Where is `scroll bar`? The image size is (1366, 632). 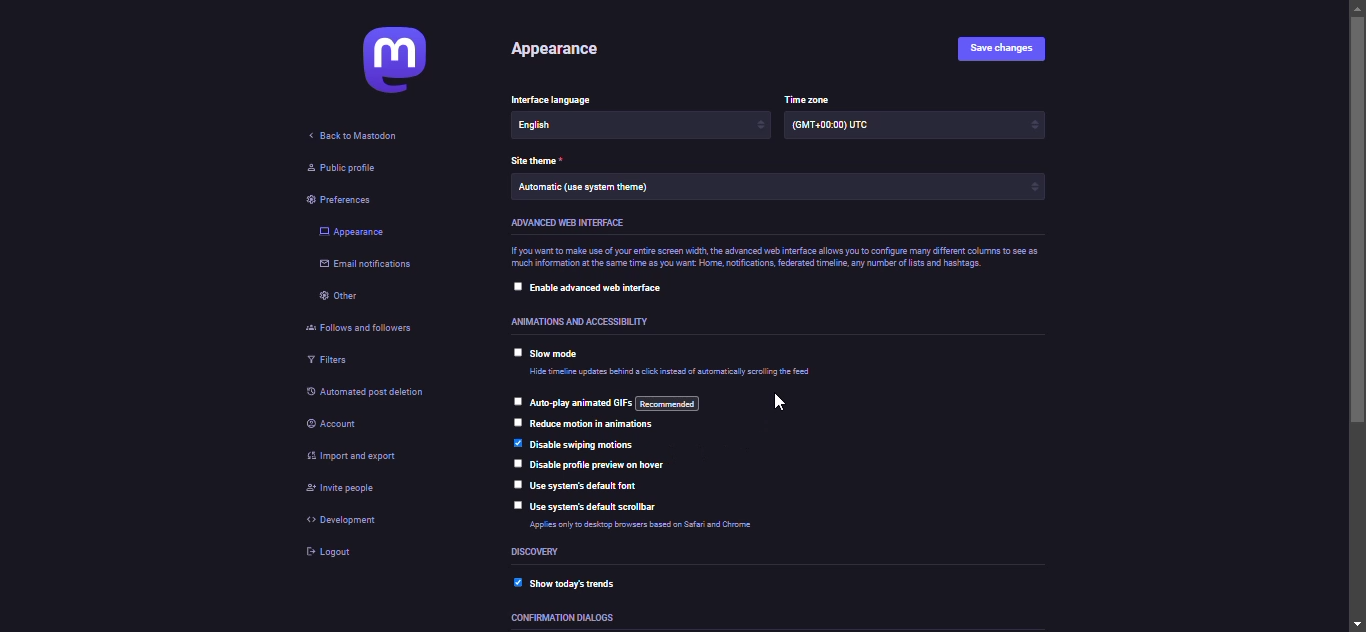
scroll bar is located at coordinates (1358, 317).